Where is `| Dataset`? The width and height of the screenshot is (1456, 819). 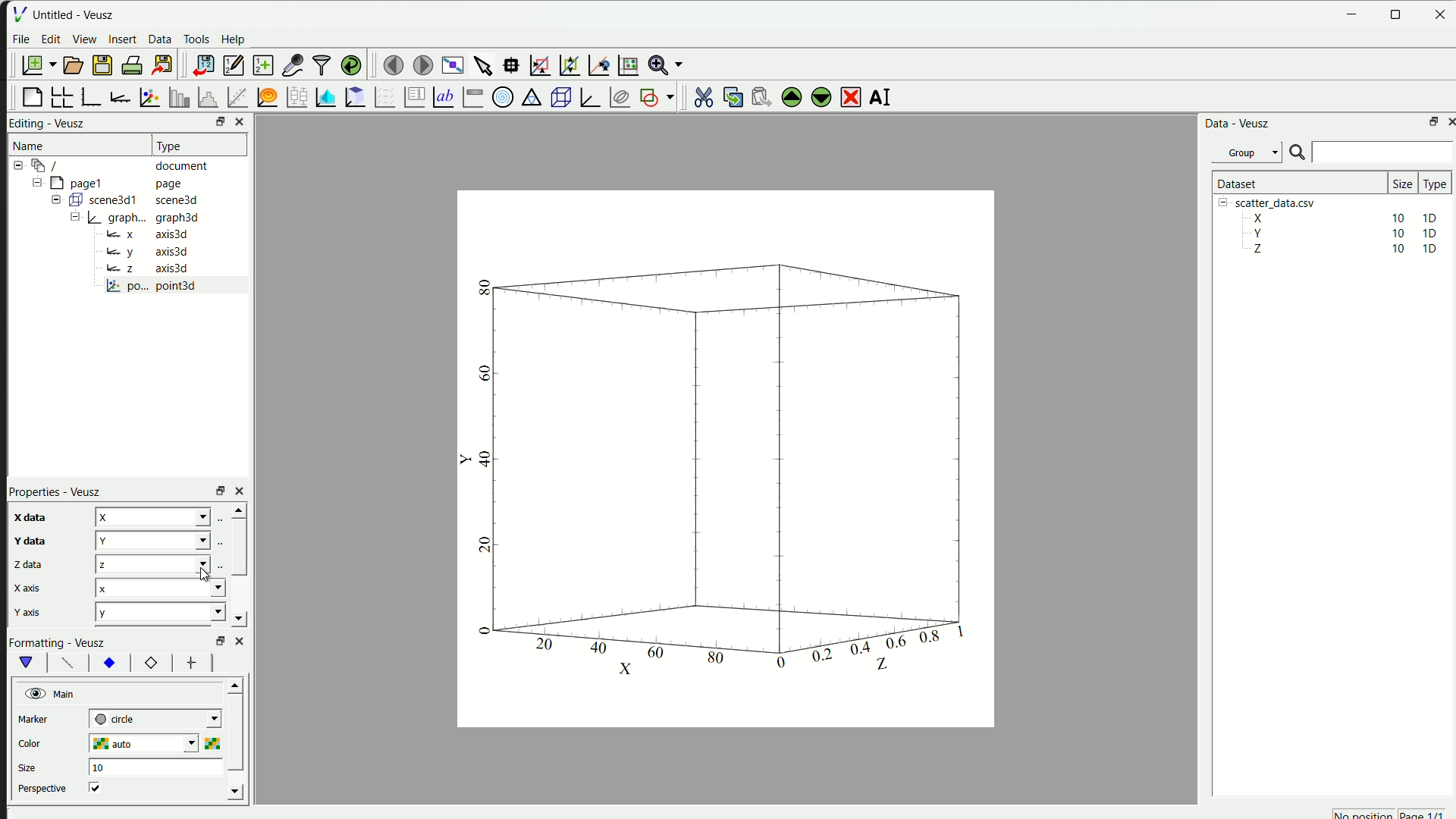
| Dataset is located at coordinates (1235, 184).